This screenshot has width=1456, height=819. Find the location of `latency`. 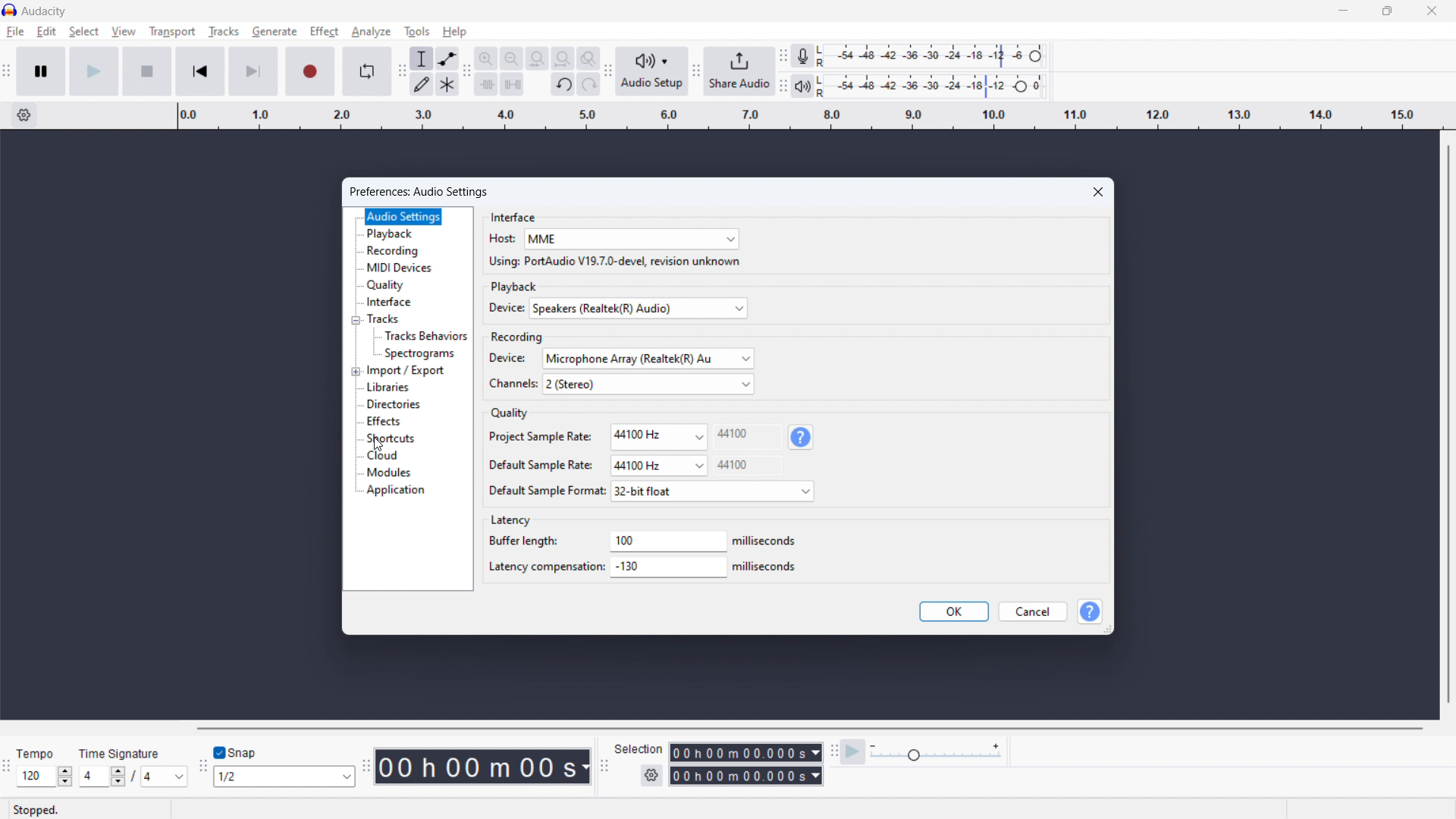

latency is located at coordinates (513, 521).